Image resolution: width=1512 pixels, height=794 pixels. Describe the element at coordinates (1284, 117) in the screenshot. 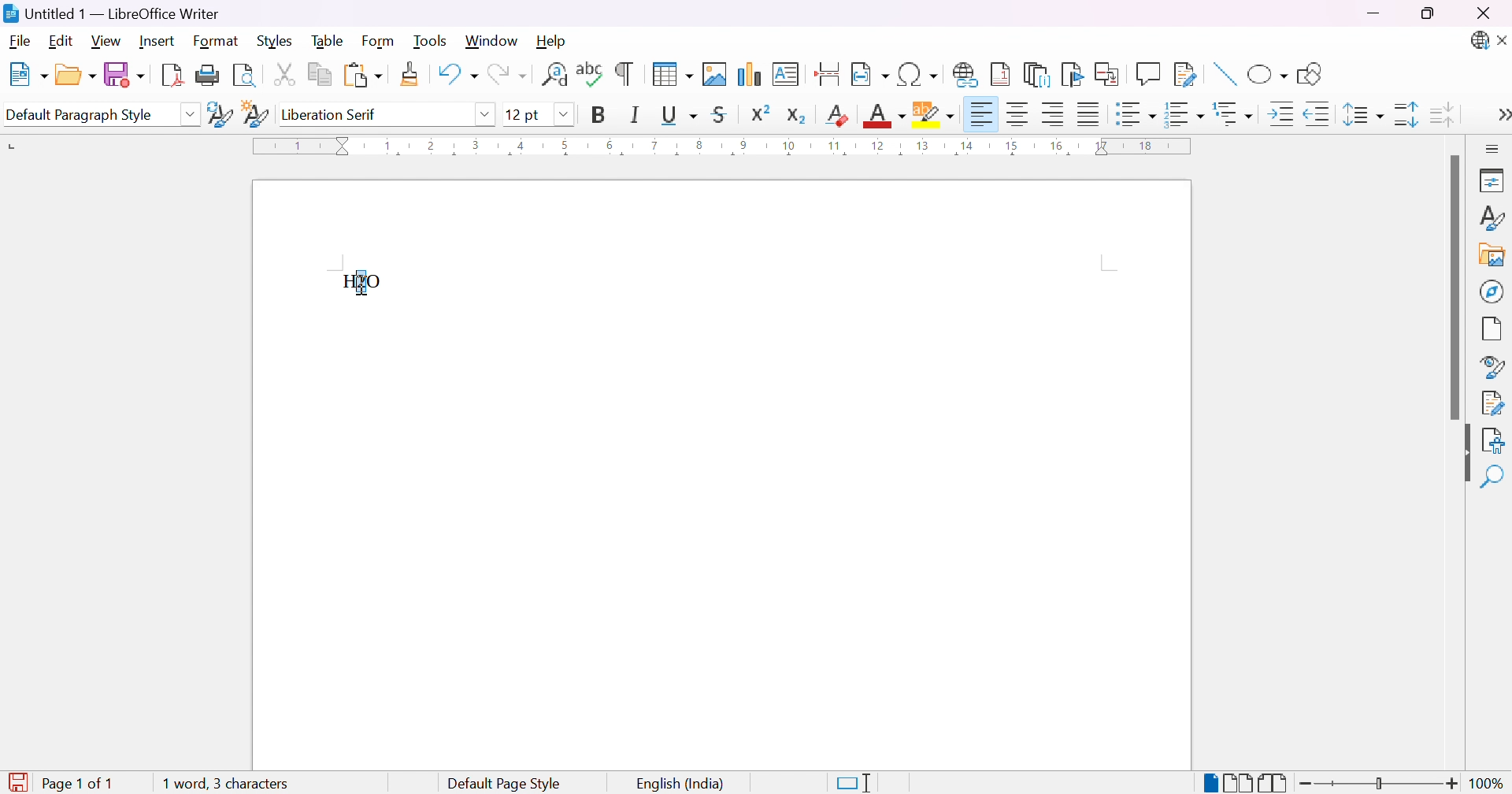

I see `Increase indent ` at that location.